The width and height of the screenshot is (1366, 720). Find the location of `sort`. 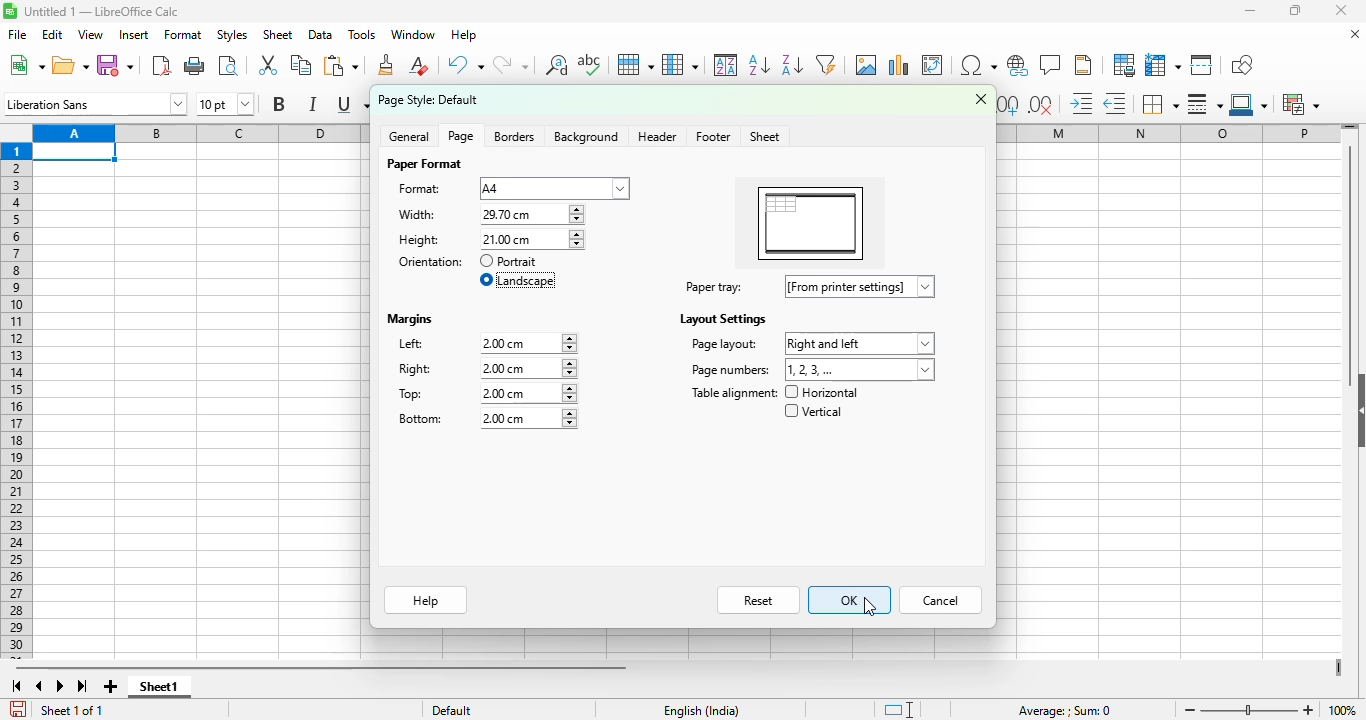

sort is located at coordinates (726, 64).